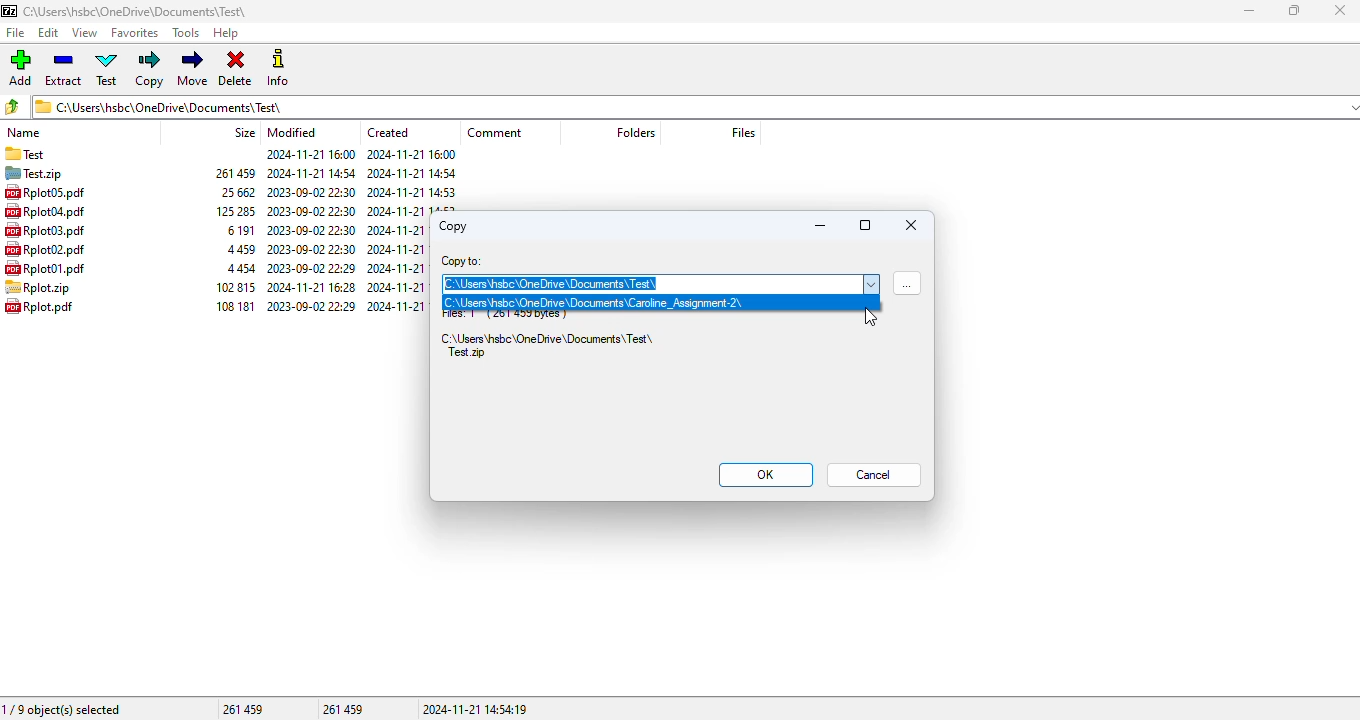 This screenshot has width=1360, height=720. I want to click on file, so click(15, 33).